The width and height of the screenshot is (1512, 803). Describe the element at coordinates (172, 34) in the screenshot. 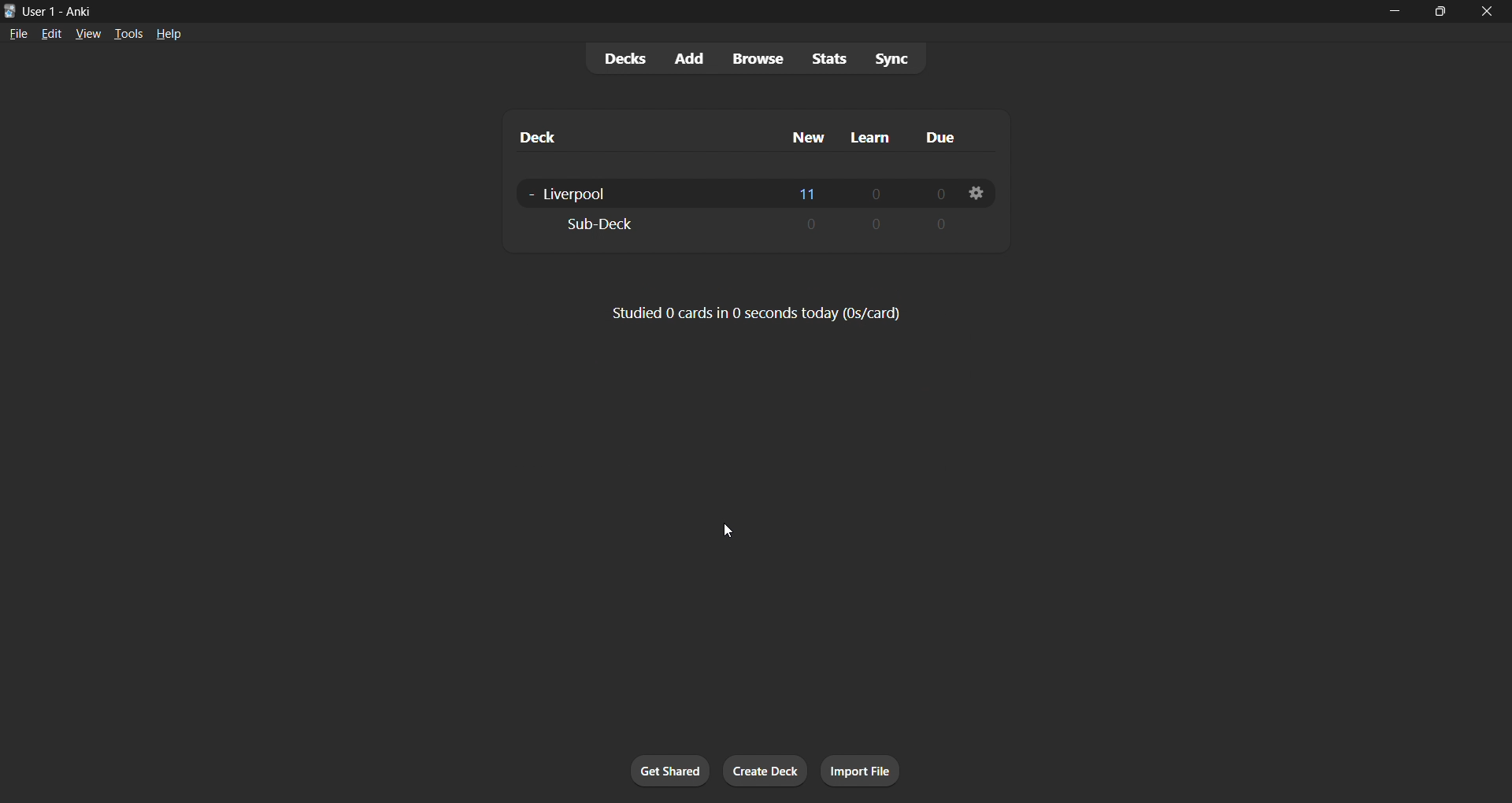

I see `help` at that location.